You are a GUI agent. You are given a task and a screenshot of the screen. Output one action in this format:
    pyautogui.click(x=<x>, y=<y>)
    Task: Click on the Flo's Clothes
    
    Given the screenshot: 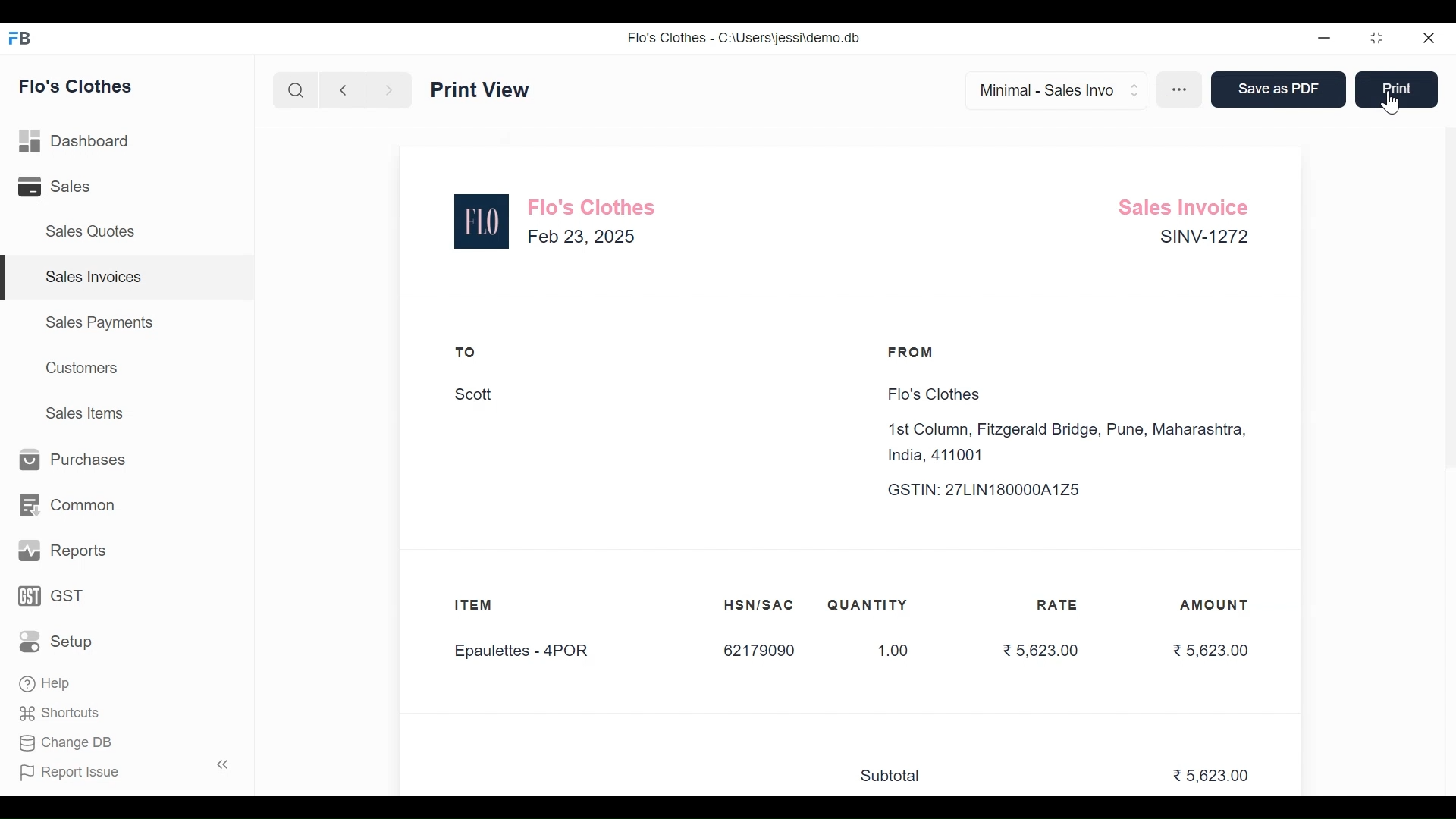 What is the action you would take?
    pyautogui.click(x=930, y=395)
    